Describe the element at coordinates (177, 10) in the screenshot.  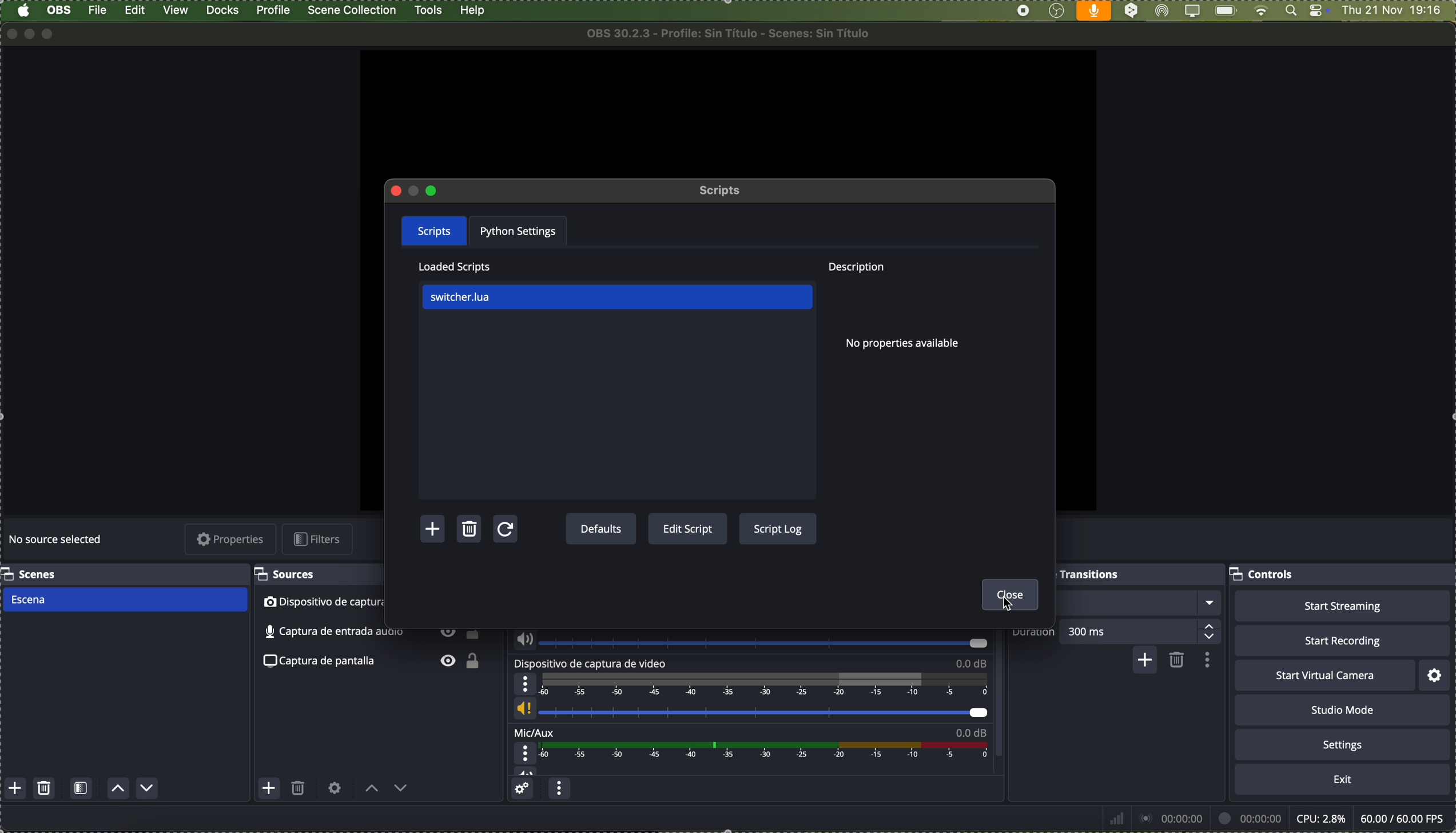
I see `view` at that location.